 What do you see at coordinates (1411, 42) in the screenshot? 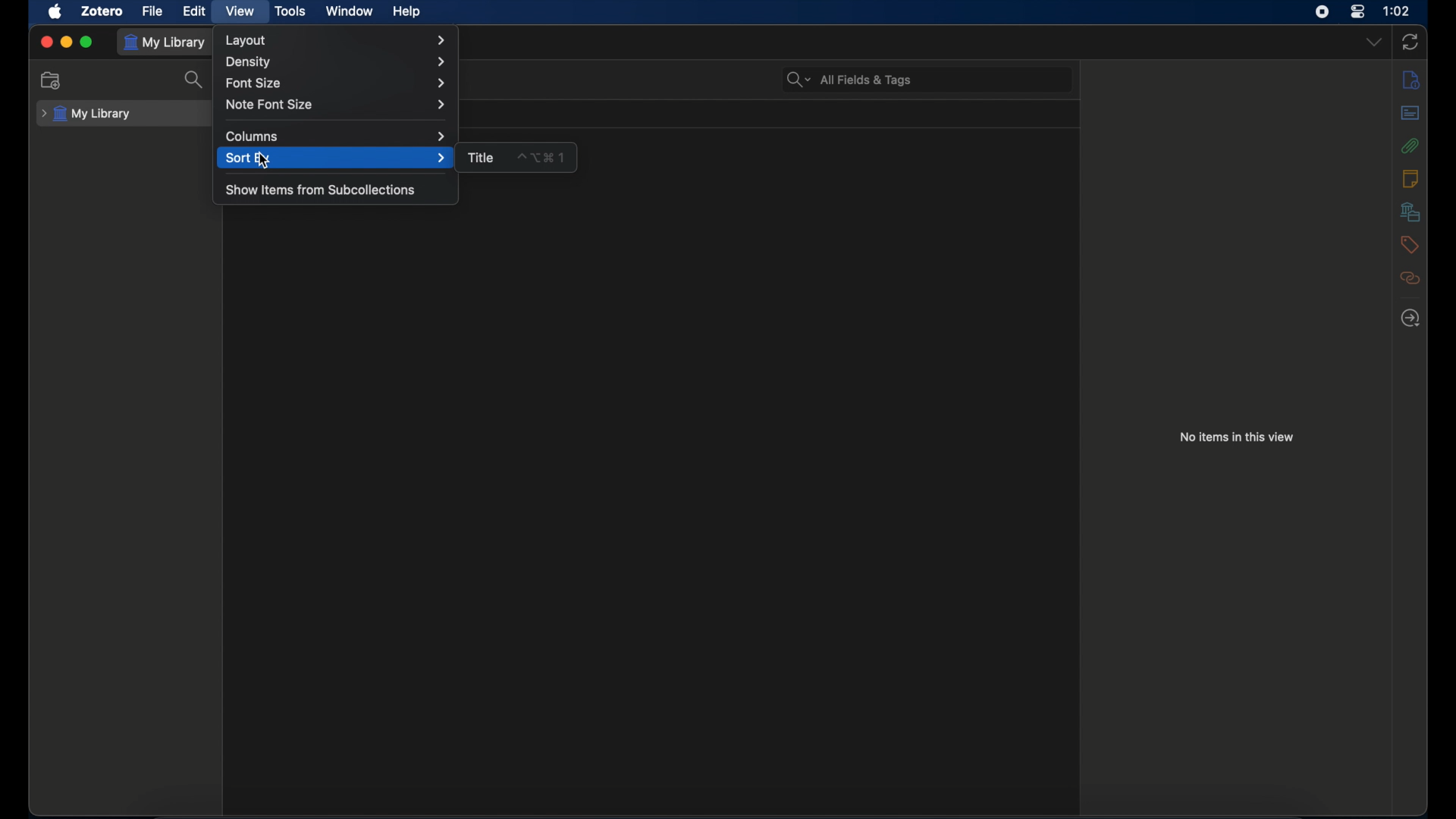
I see `sync` at bounding box center [1411, 42].